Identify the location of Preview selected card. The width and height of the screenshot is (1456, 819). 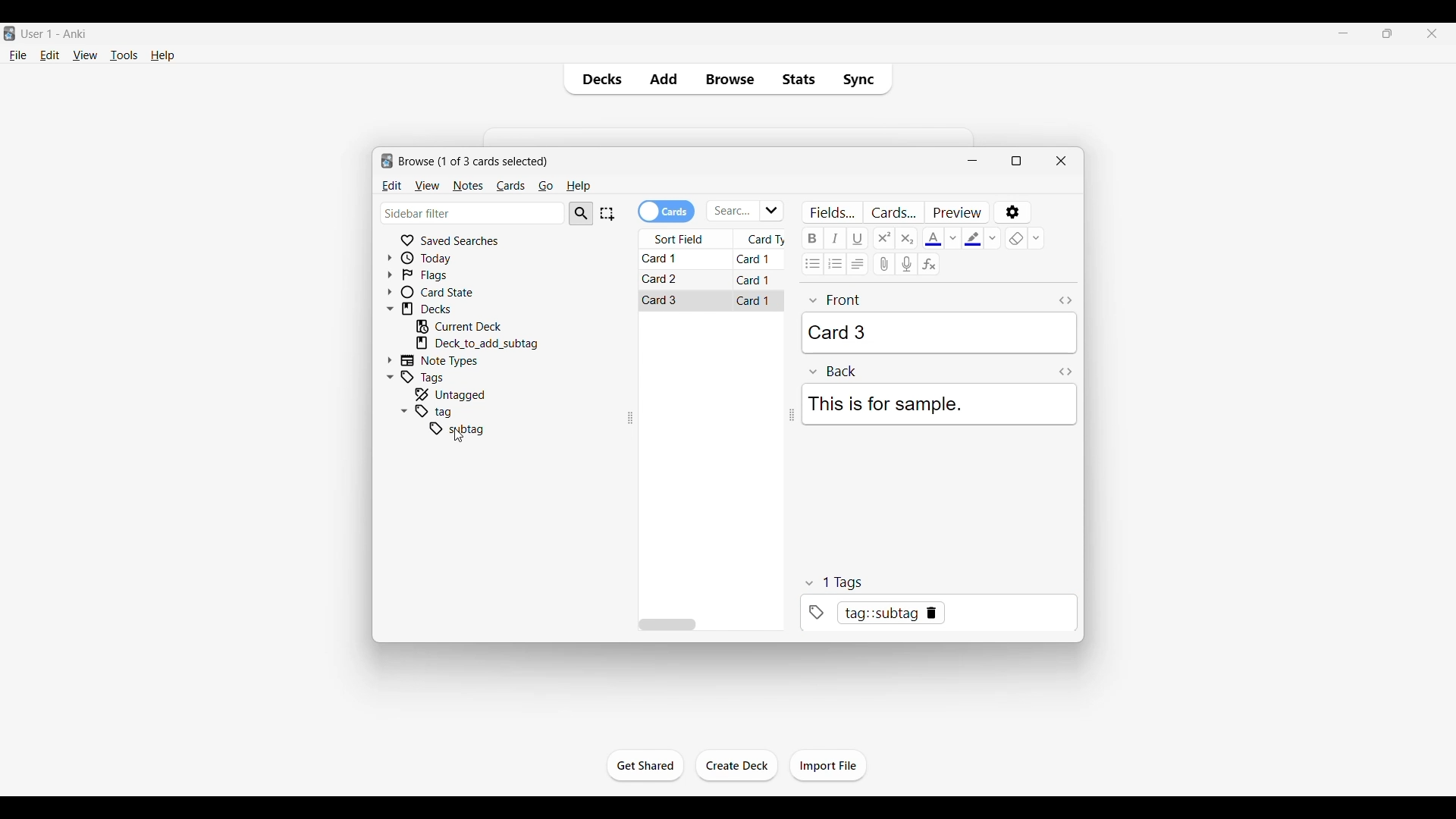
(956, 212).